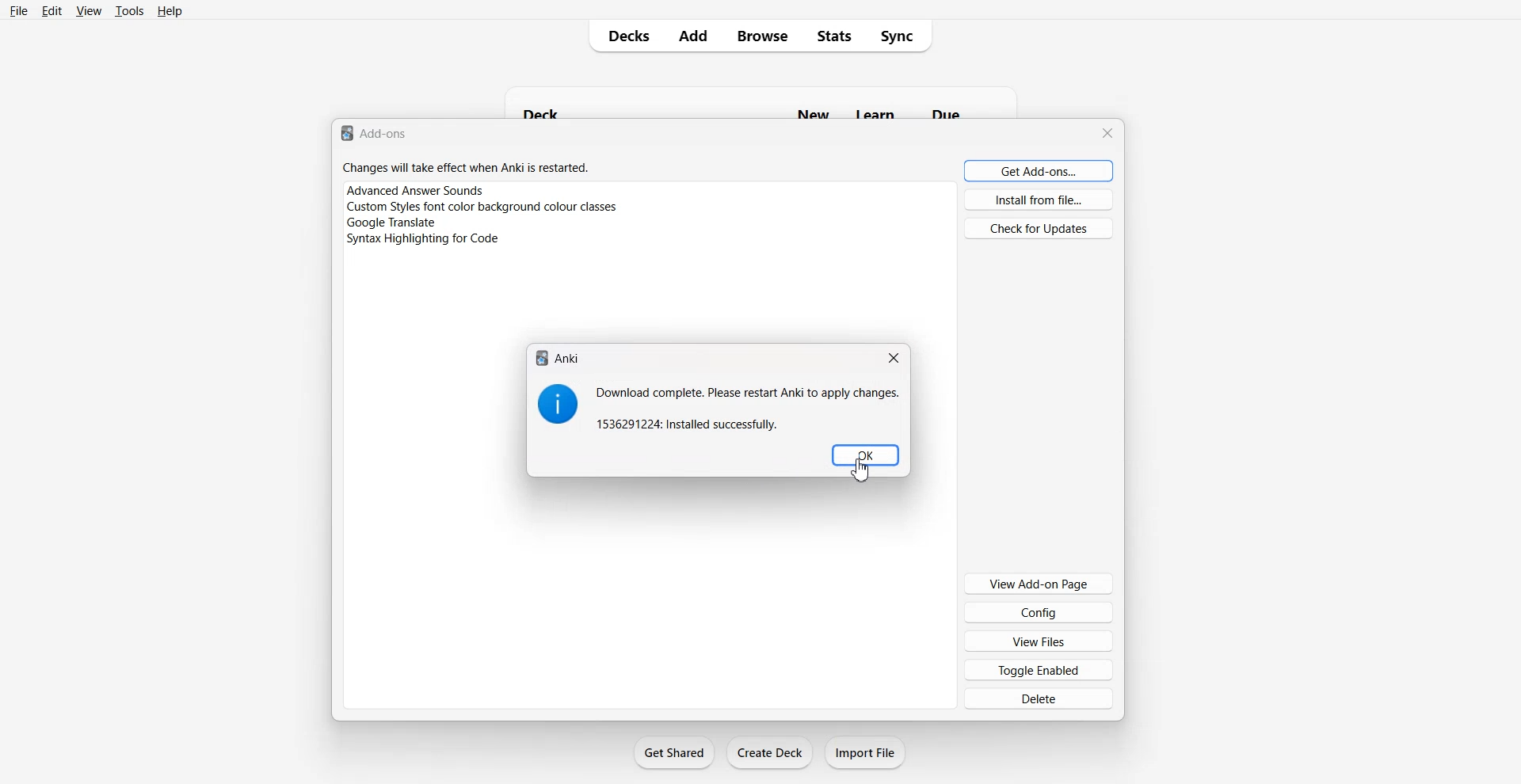 The height and width of the screenshot is (784, 1521). I want to click on new, so click(811, 113).